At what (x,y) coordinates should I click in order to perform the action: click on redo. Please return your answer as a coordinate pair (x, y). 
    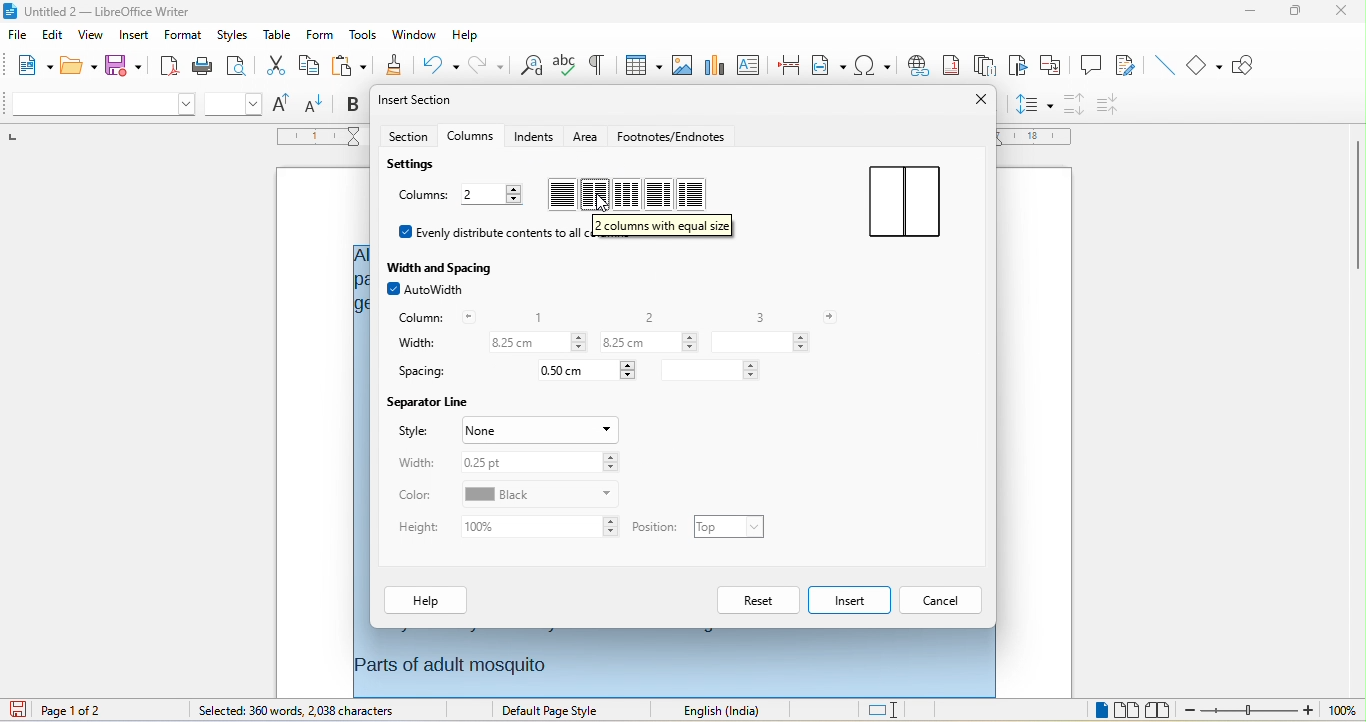
    Looking at the image, I should click on (485, 64).